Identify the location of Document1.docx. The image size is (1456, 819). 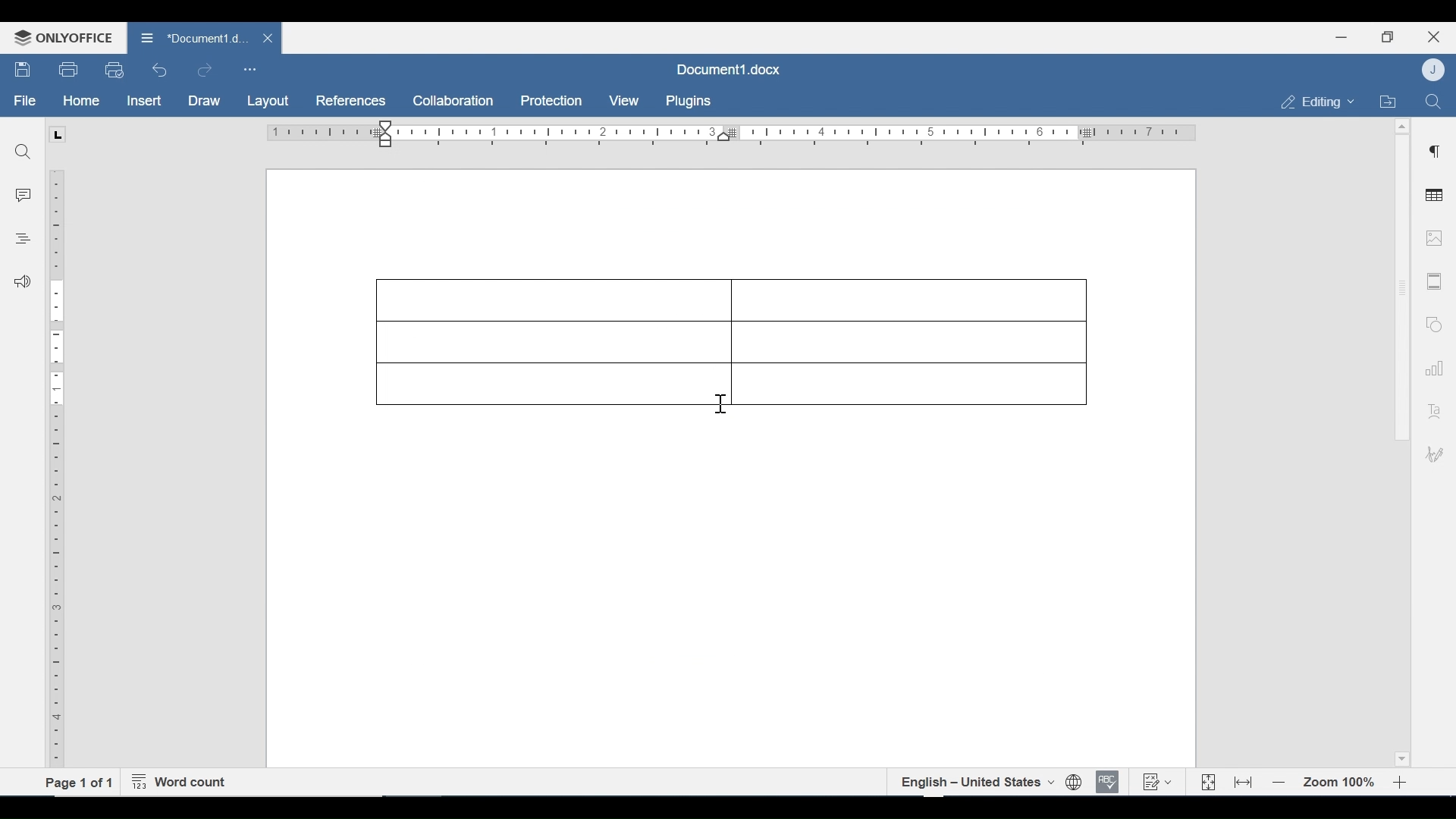
(193, 36).